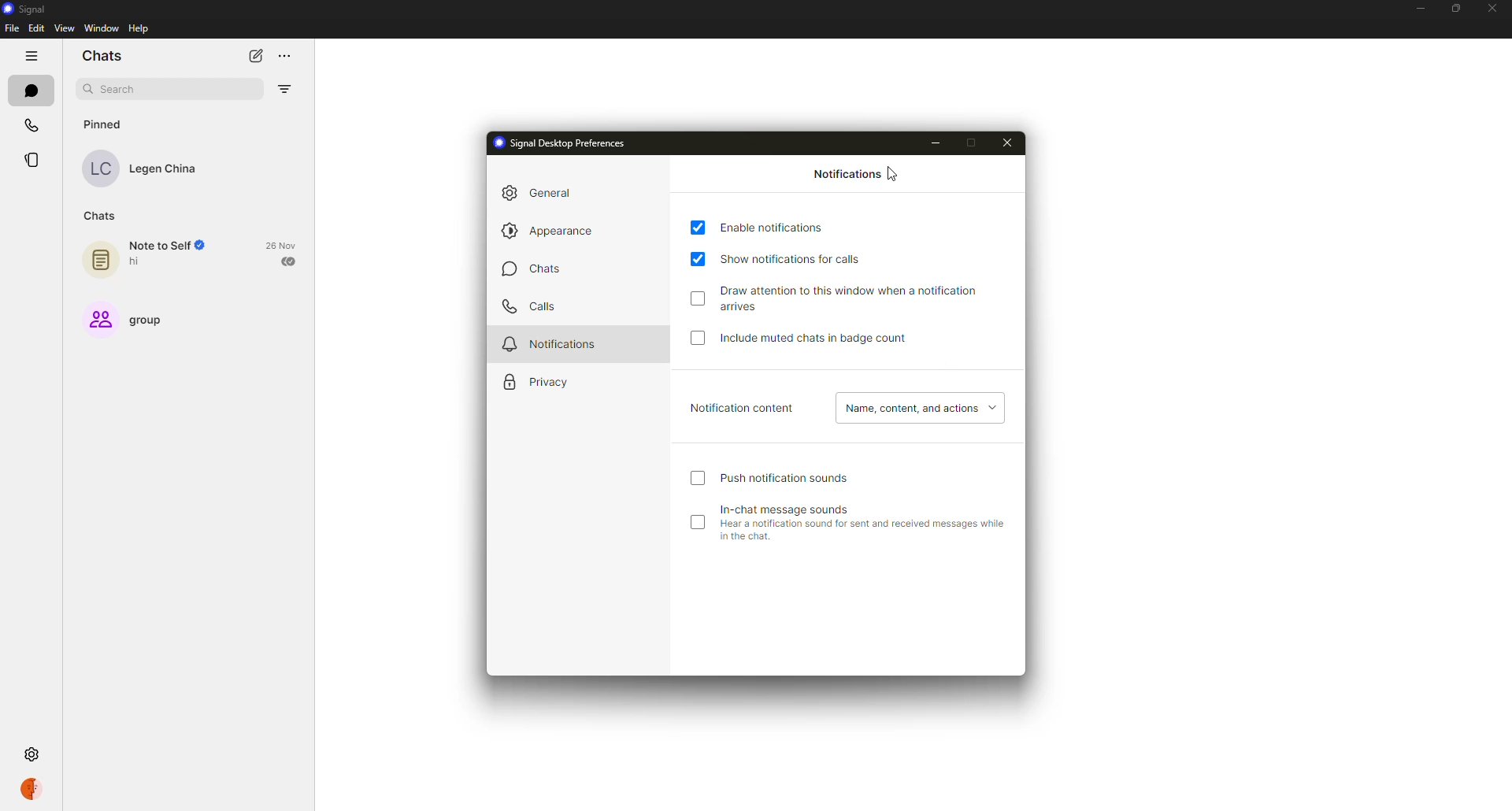 The width and height of the screenshot is (1512, 811). Describe the element at coordinates (695, 524) in the screenshot. I see `disabled` at that location.